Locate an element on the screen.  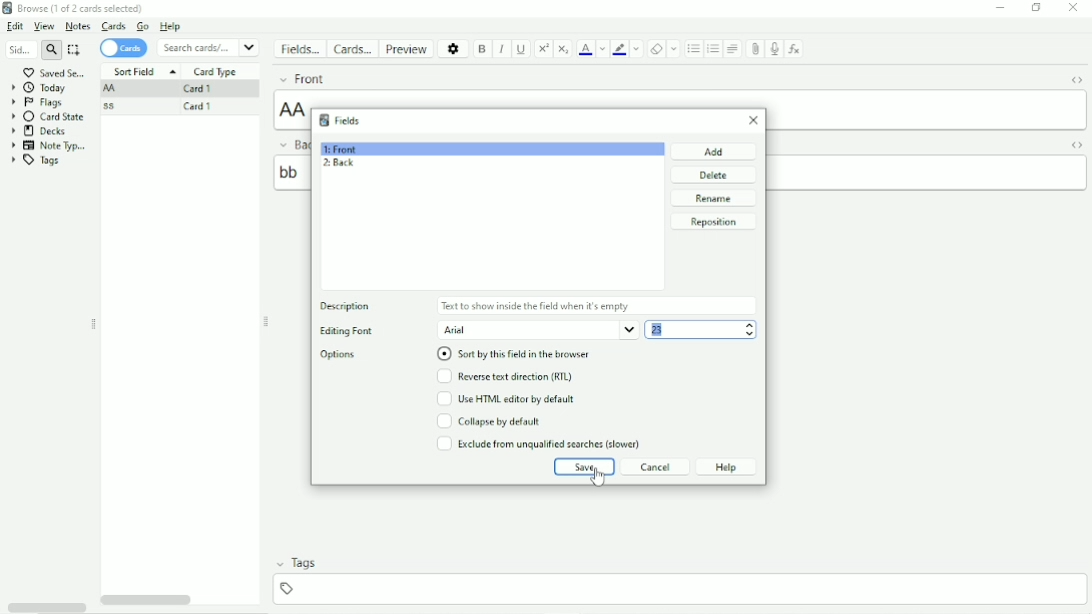
Notes is located at coordinates (77, 26).